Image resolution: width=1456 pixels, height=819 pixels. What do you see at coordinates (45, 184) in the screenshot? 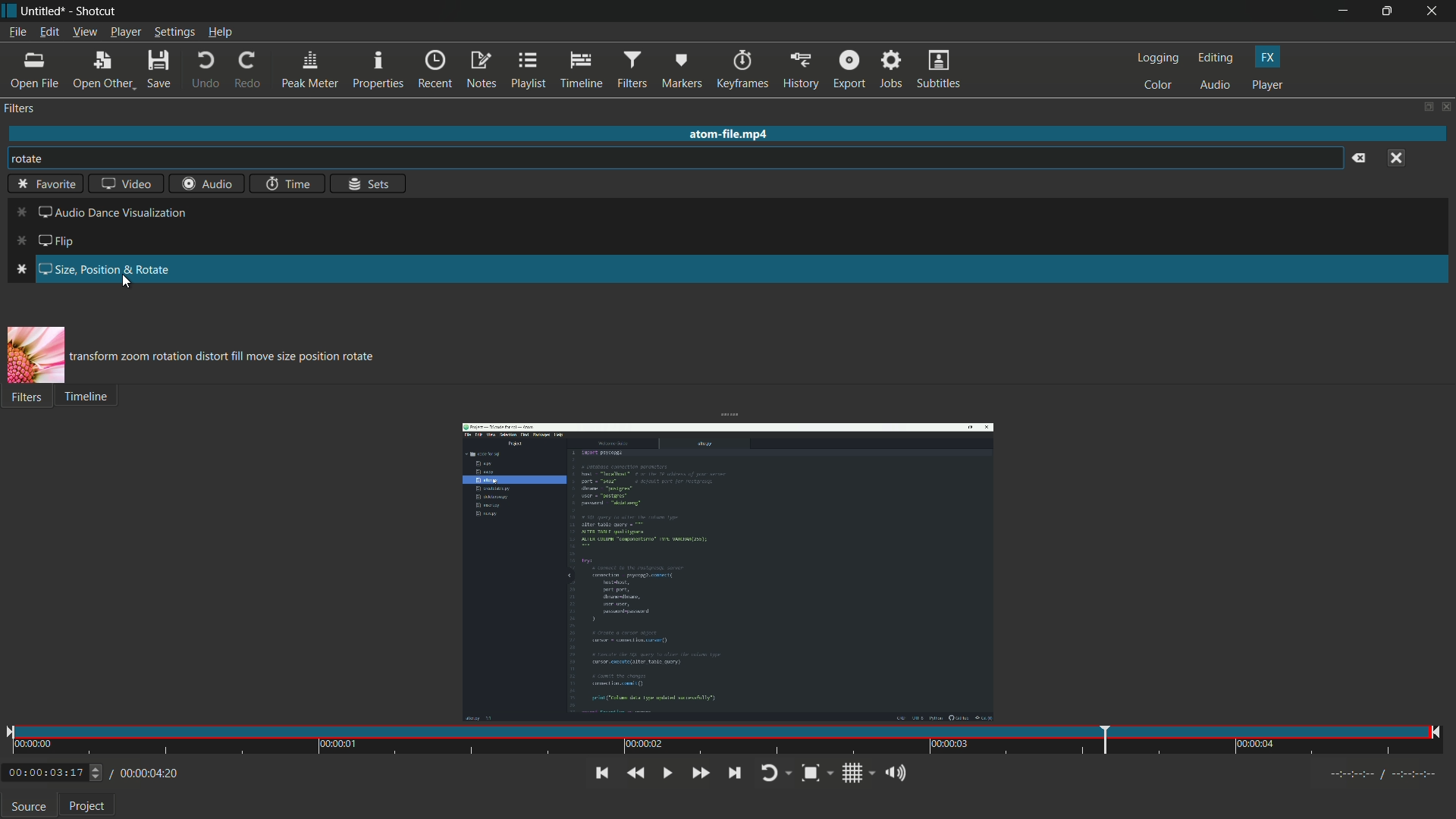
I see `favorite` at bounding box center [45, 184].